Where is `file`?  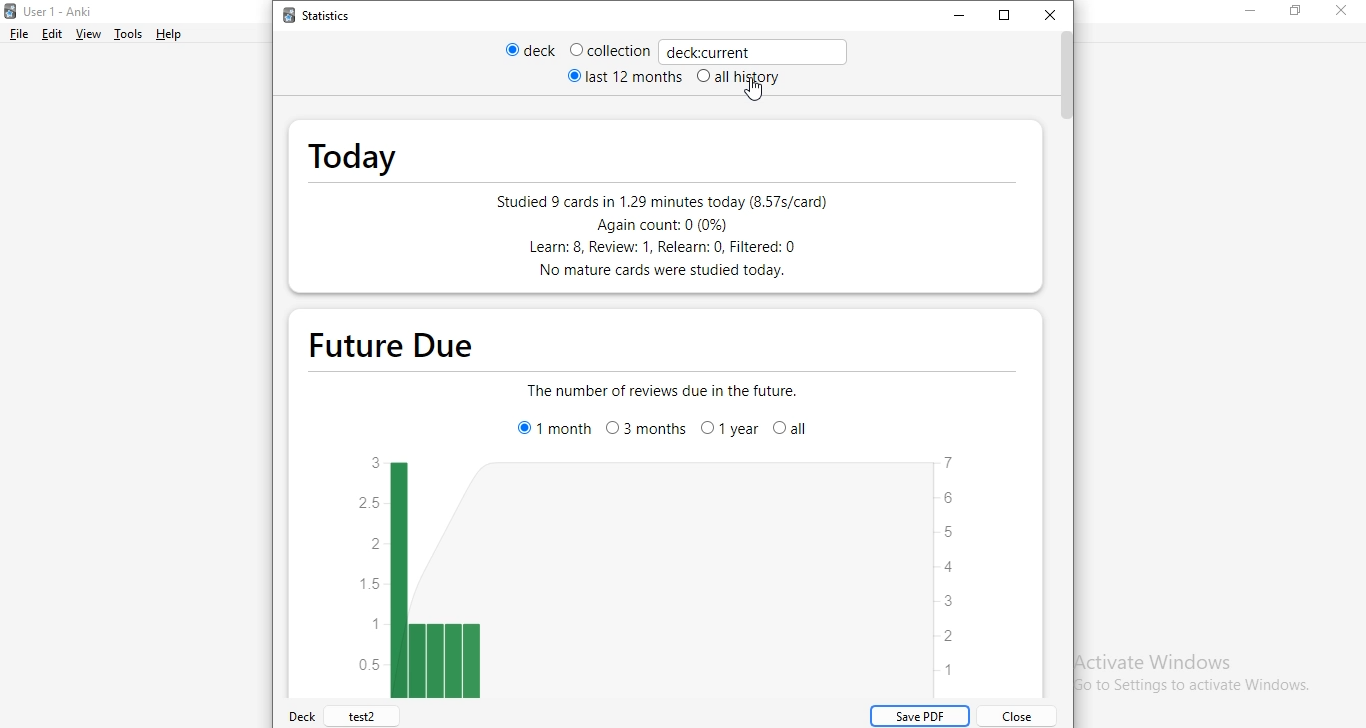 file is located at coordinates (16, 33).